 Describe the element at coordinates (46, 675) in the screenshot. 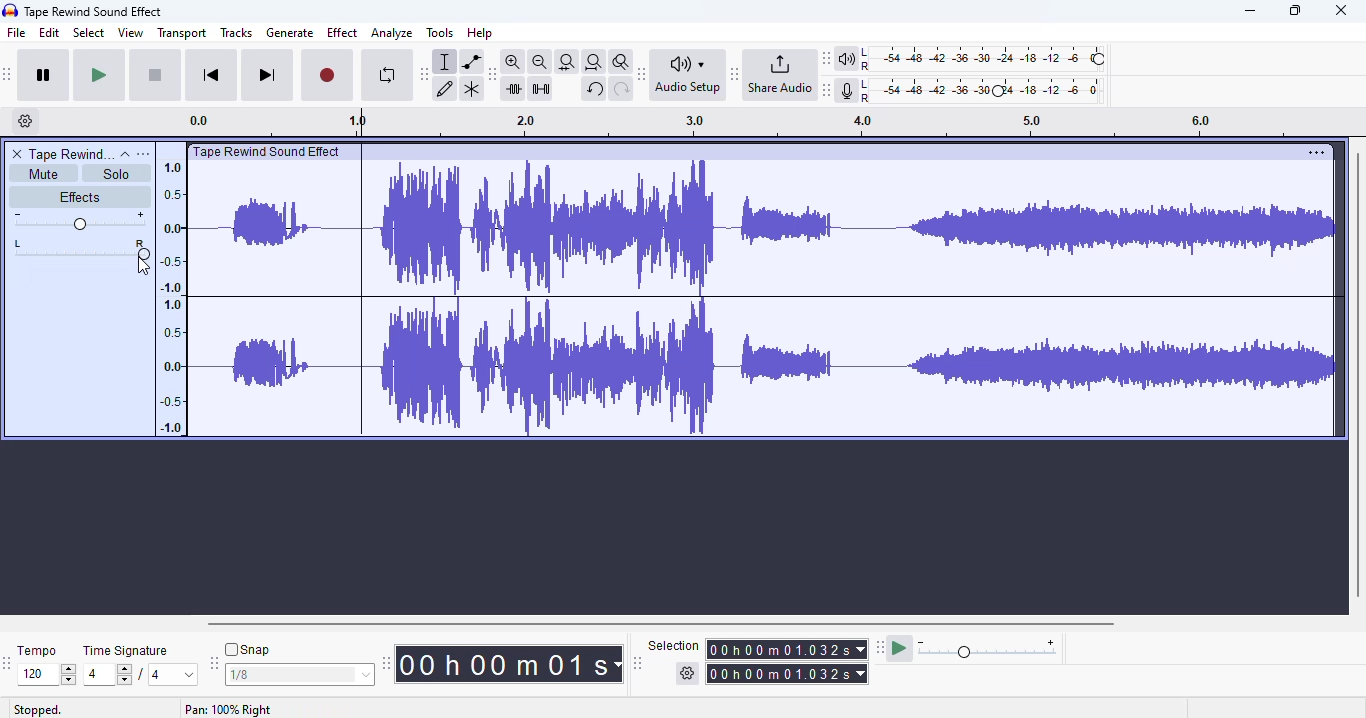

I see `120` at that location.